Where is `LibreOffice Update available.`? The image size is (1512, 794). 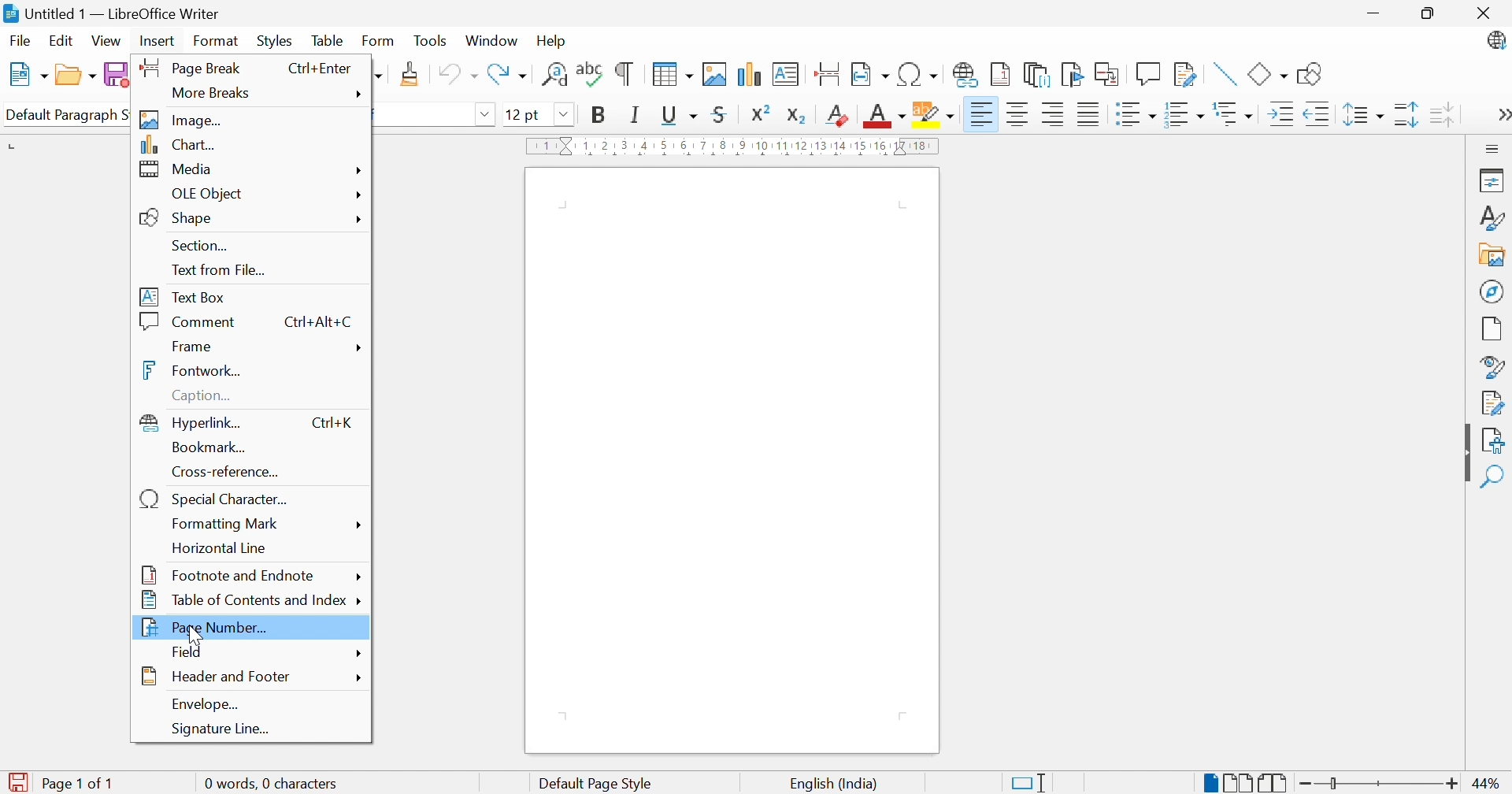 LibreOffice Update available. is located at coordinates (1495, 40).